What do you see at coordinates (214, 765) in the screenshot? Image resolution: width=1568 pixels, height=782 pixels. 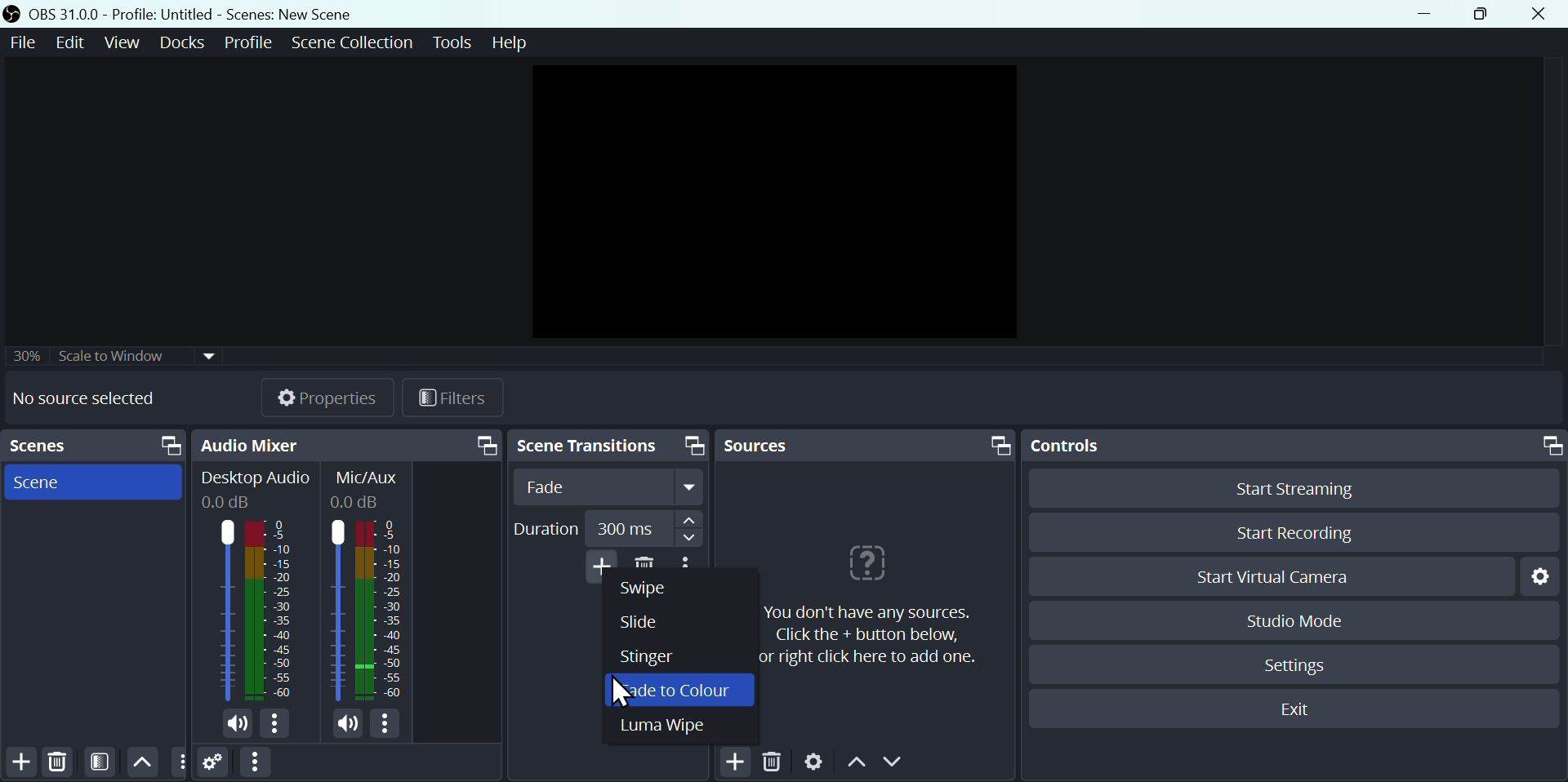 I see `Settings` at bounding box center [214, 765].